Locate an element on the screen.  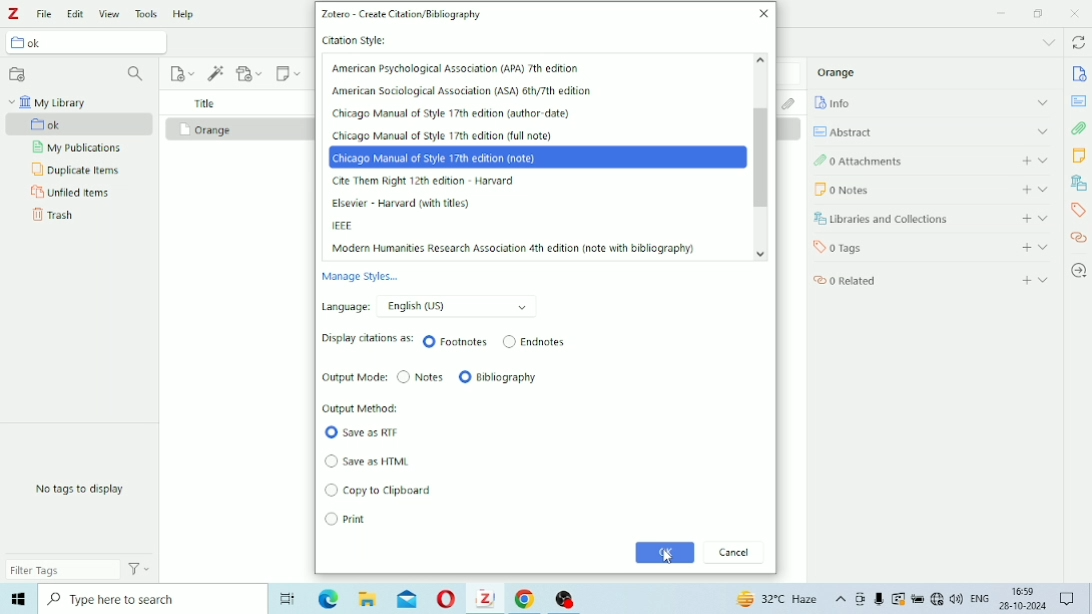
Restore down is located at coordinates (1040, 14).